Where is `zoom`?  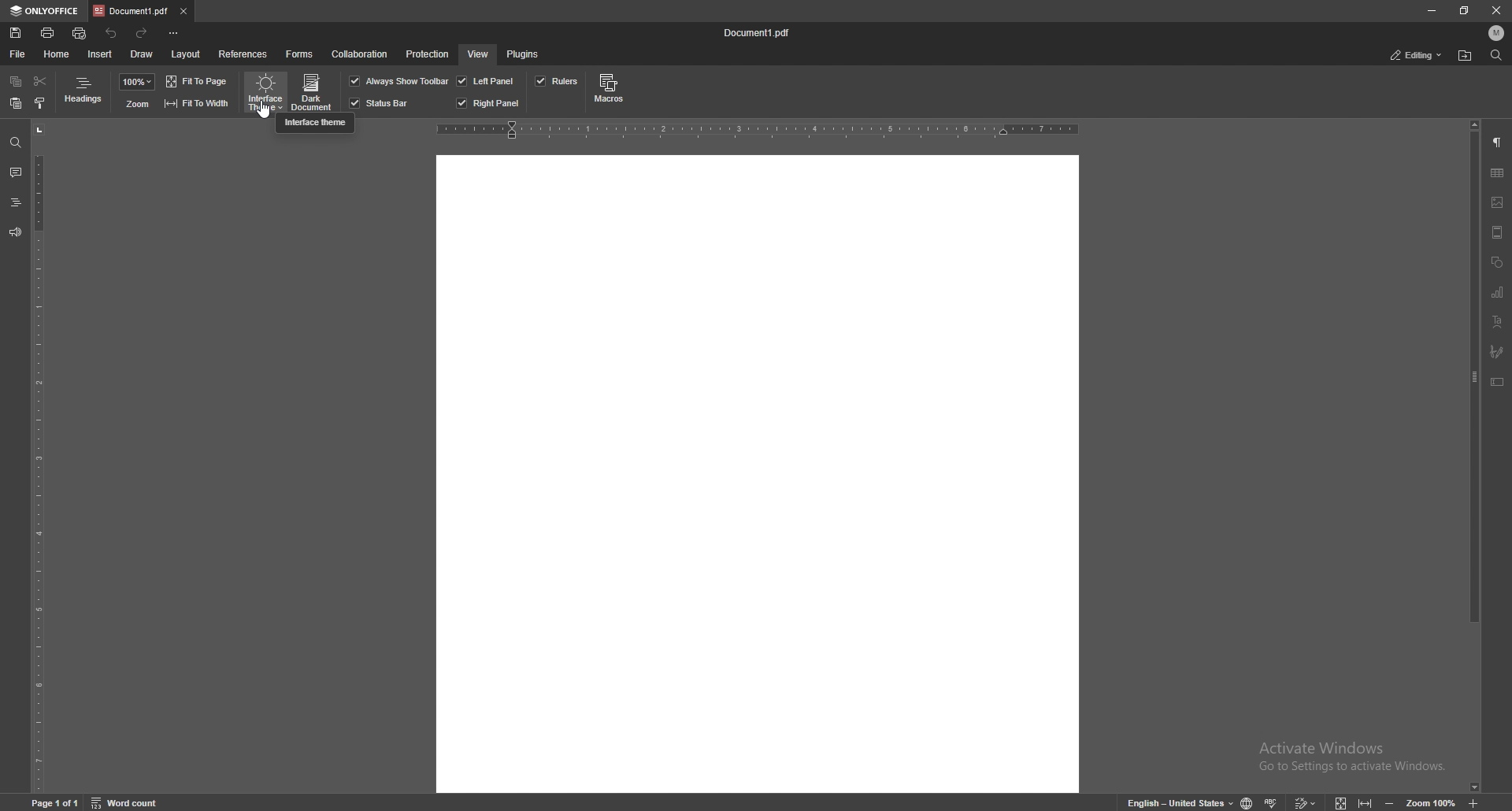 zoom is located at coordinates (138, 82).